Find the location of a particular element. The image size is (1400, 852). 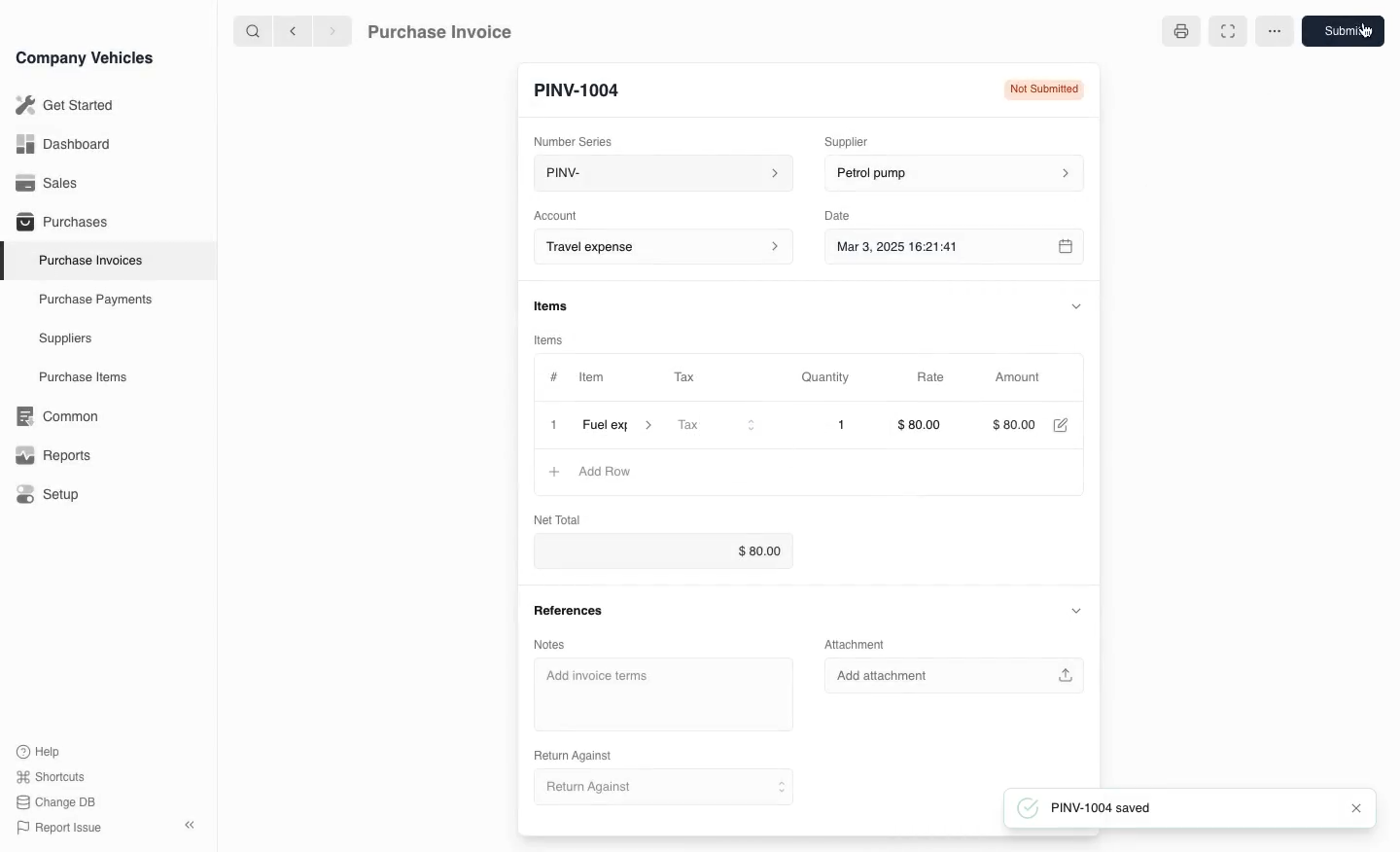

close sidebar is located at coordinates (192, 823).